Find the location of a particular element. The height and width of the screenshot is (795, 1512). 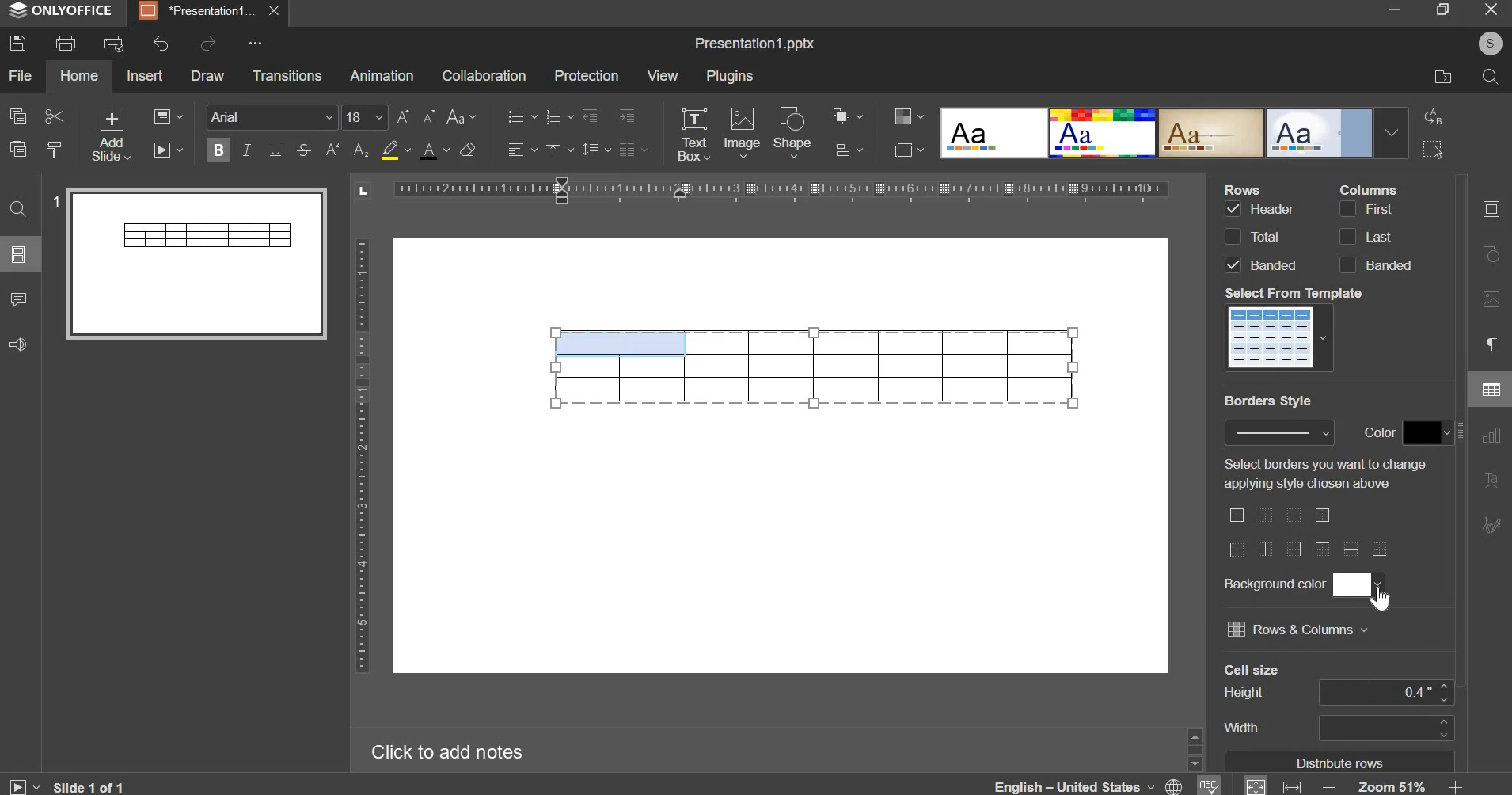

horizontal scale is located at coordinates (780, 188).